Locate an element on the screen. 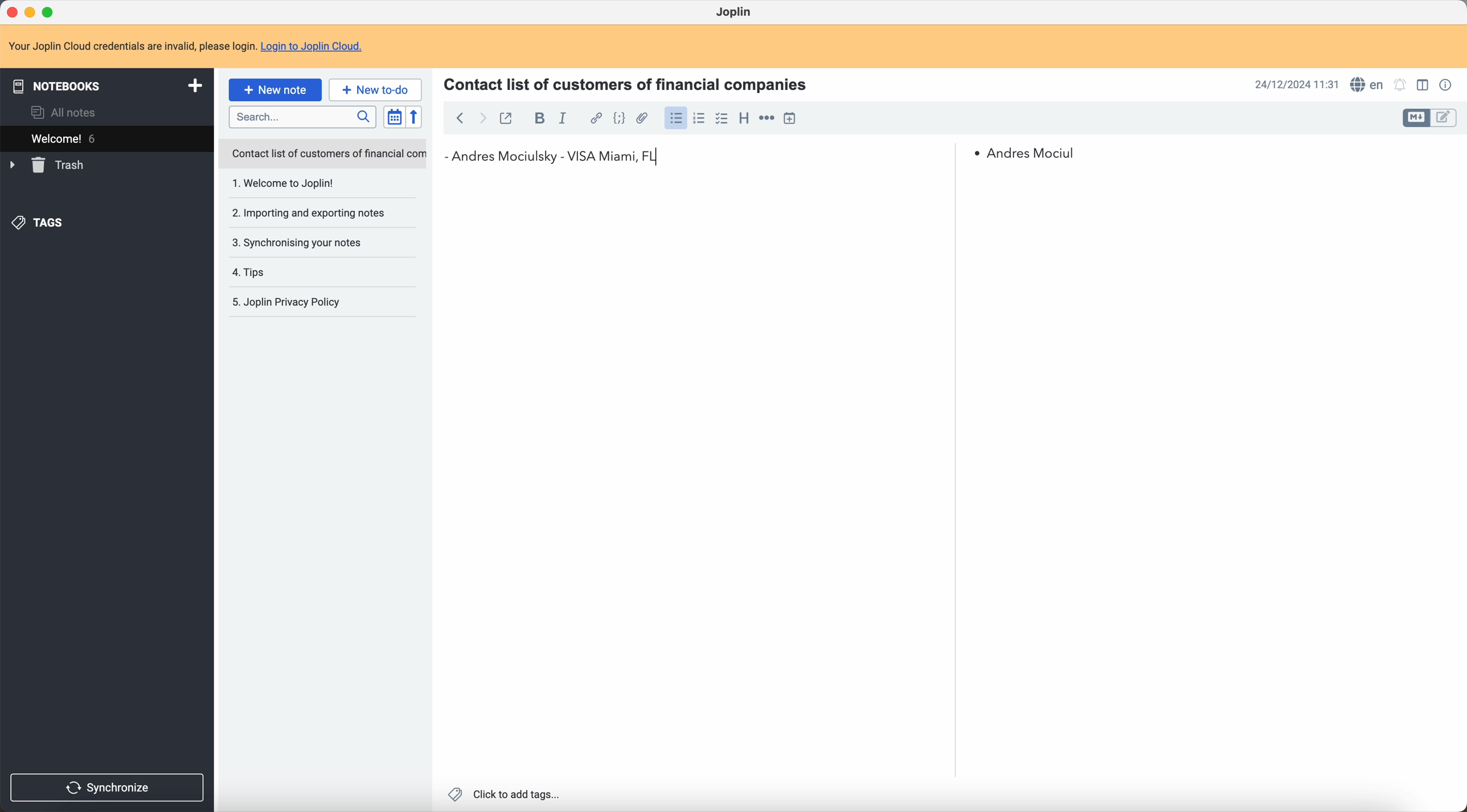 The height and width of the screenshot is (812, 1467). click to add tags is located at coordinates (503, 794).